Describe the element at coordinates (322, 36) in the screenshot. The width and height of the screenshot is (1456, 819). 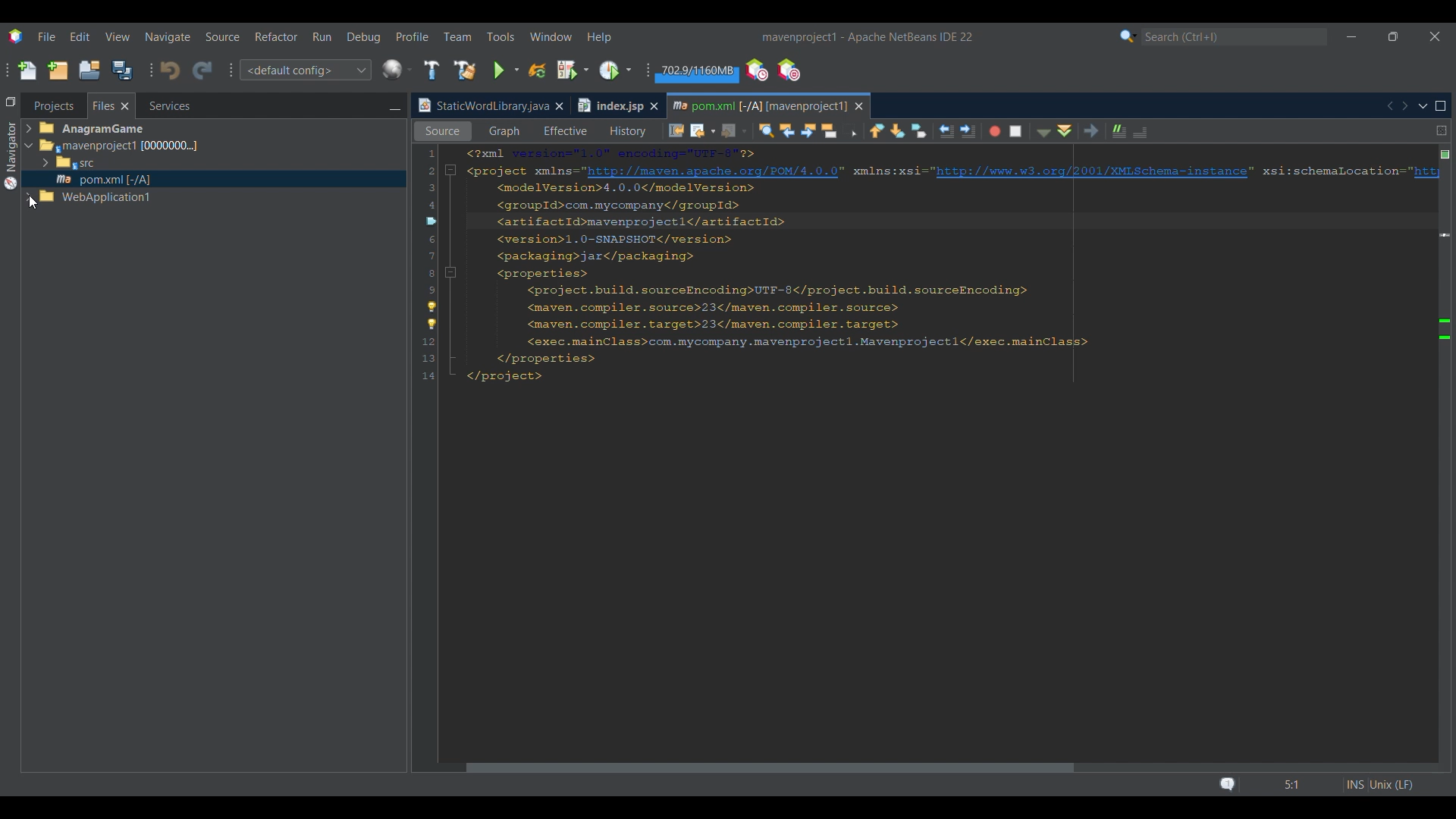
I see `Run menu` at that location.